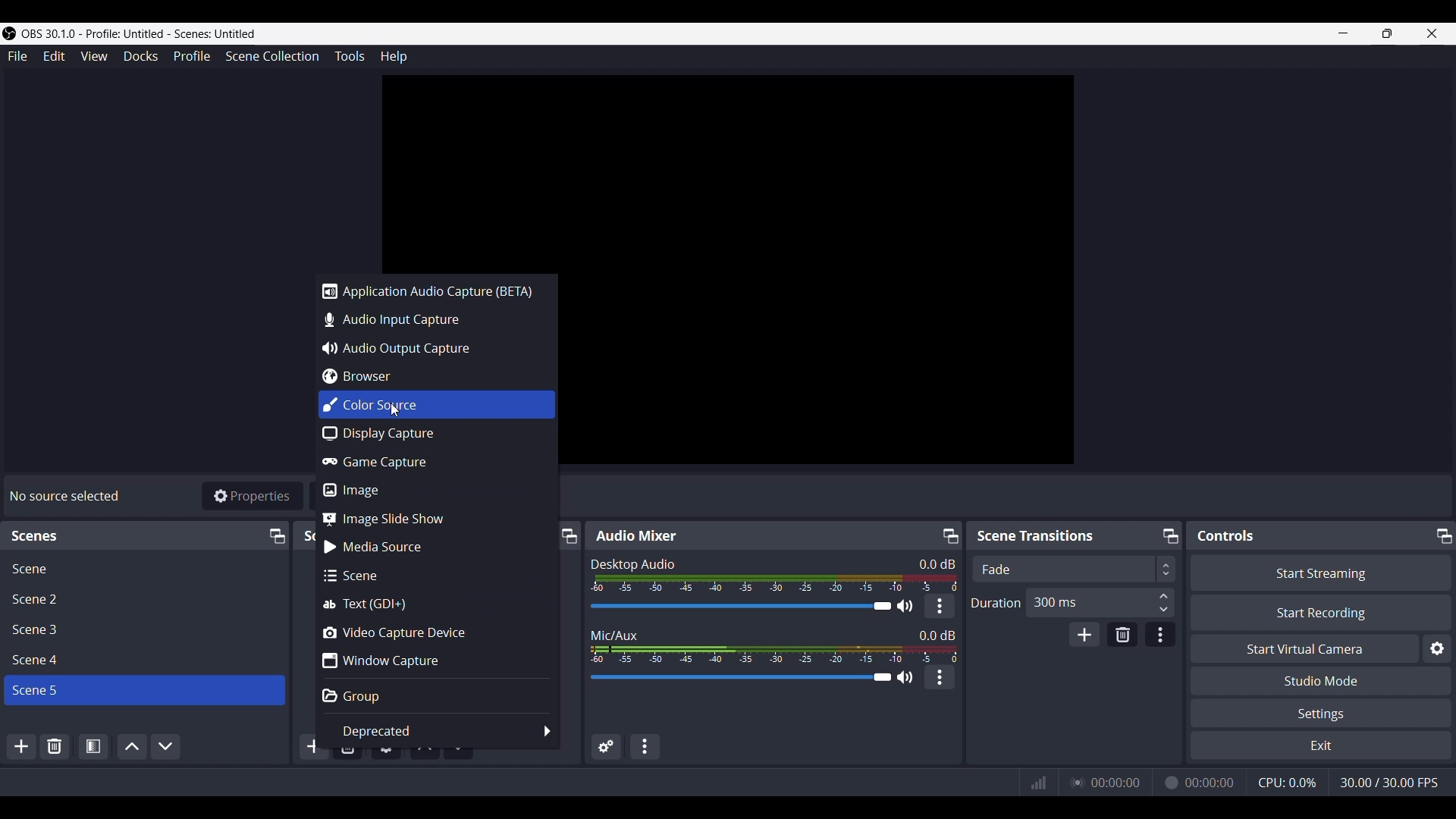  I want to click on Help, so click(392, 55).